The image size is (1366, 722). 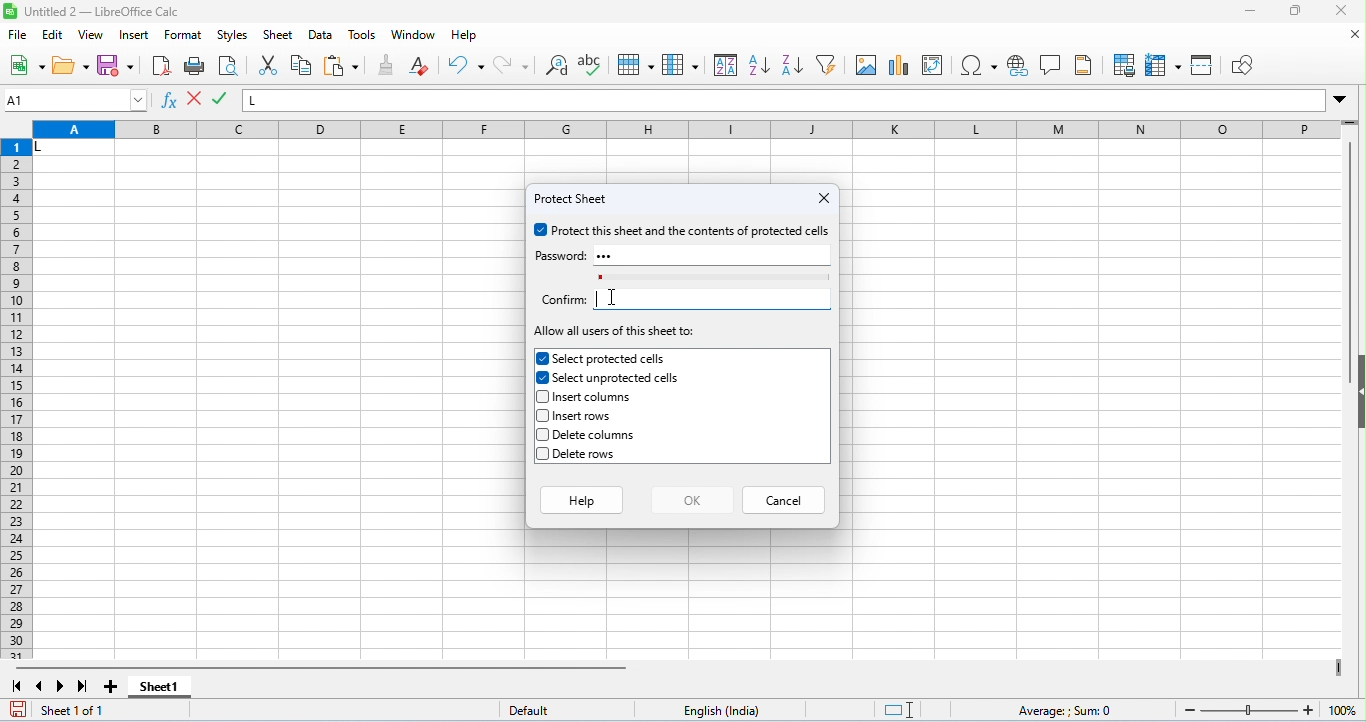 What do you see at coordinates (617, 296) in the screenshot?
I see `cursor movement` at bounding box center [617, 296].